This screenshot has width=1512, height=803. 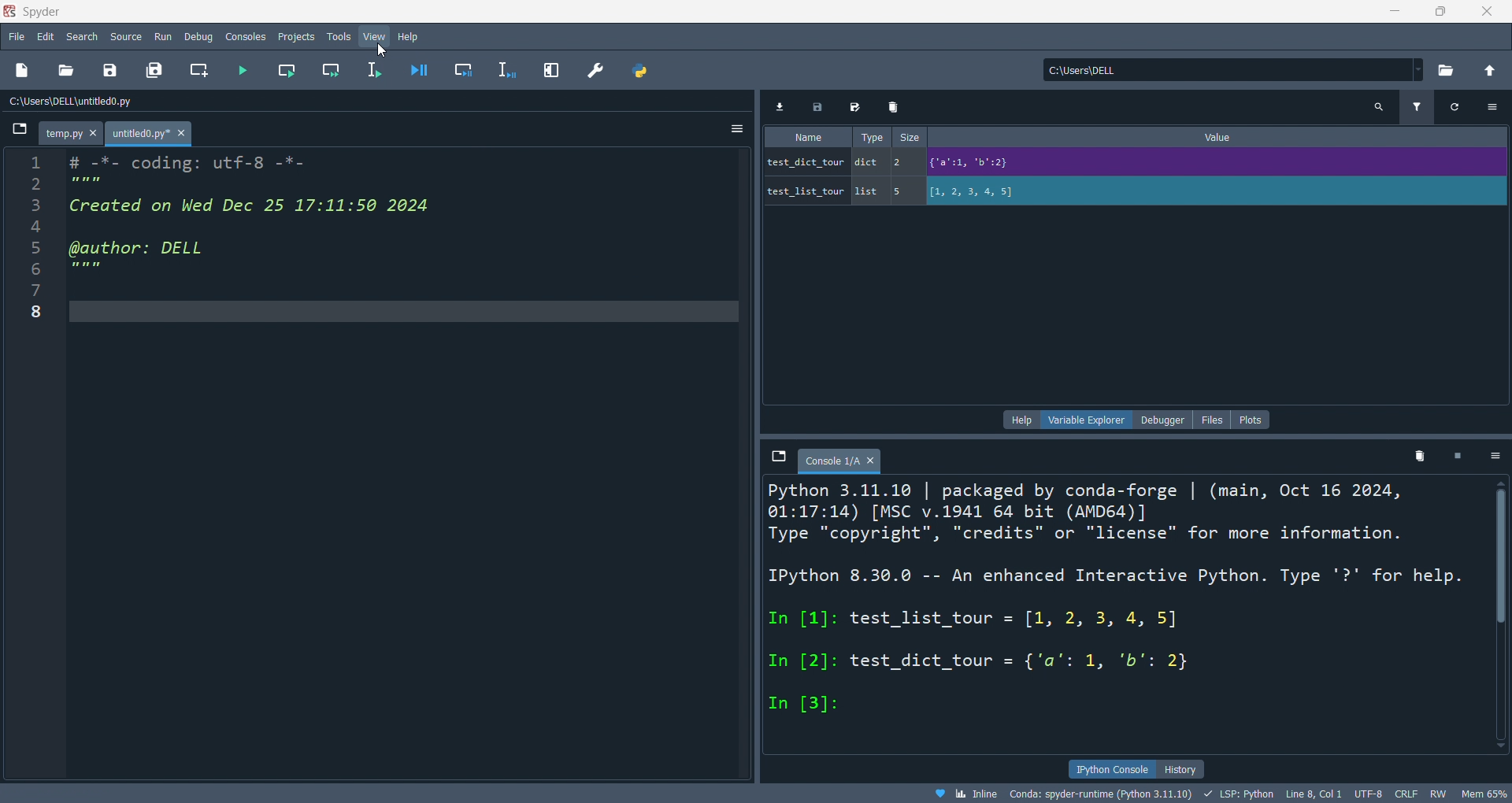 I want to click on help, so click(x=411, y=36).